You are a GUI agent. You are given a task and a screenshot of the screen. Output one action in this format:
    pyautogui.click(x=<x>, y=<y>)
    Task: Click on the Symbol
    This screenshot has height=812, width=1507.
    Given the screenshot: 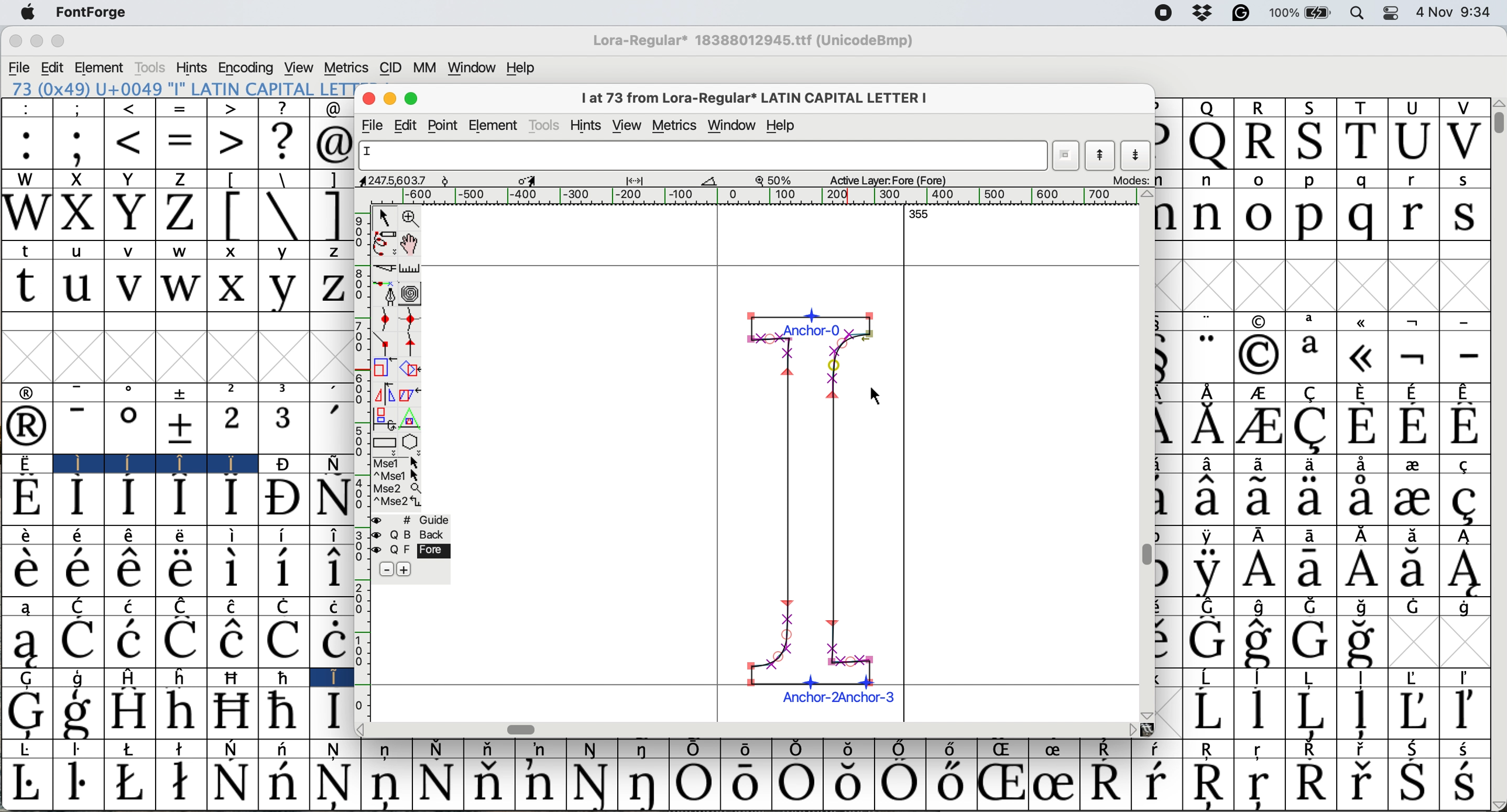 What is the action you would take?
    pyautogui.click(x=1058, y=749)
    